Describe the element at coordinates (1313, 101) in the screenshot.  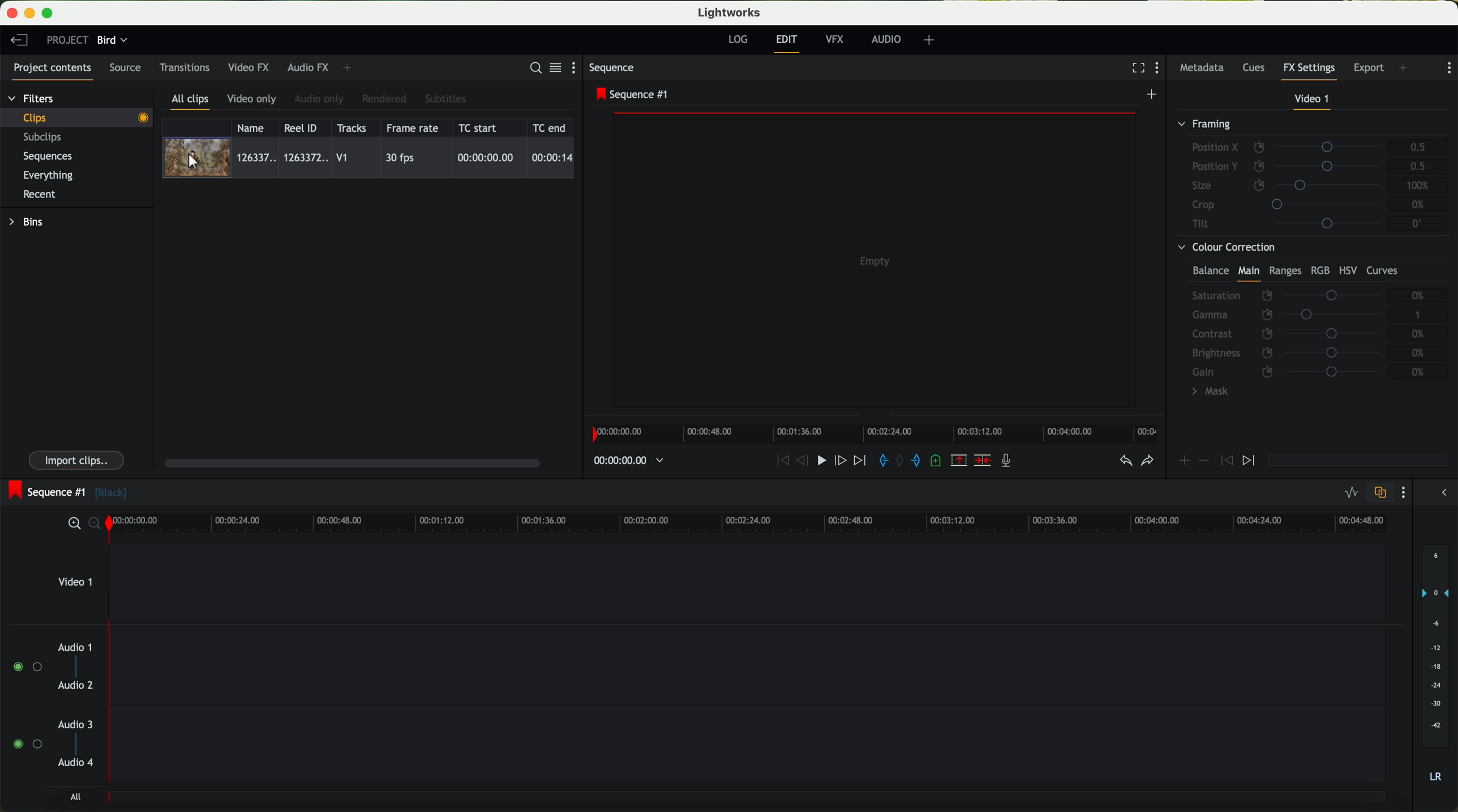
I see `video 1` at that location.